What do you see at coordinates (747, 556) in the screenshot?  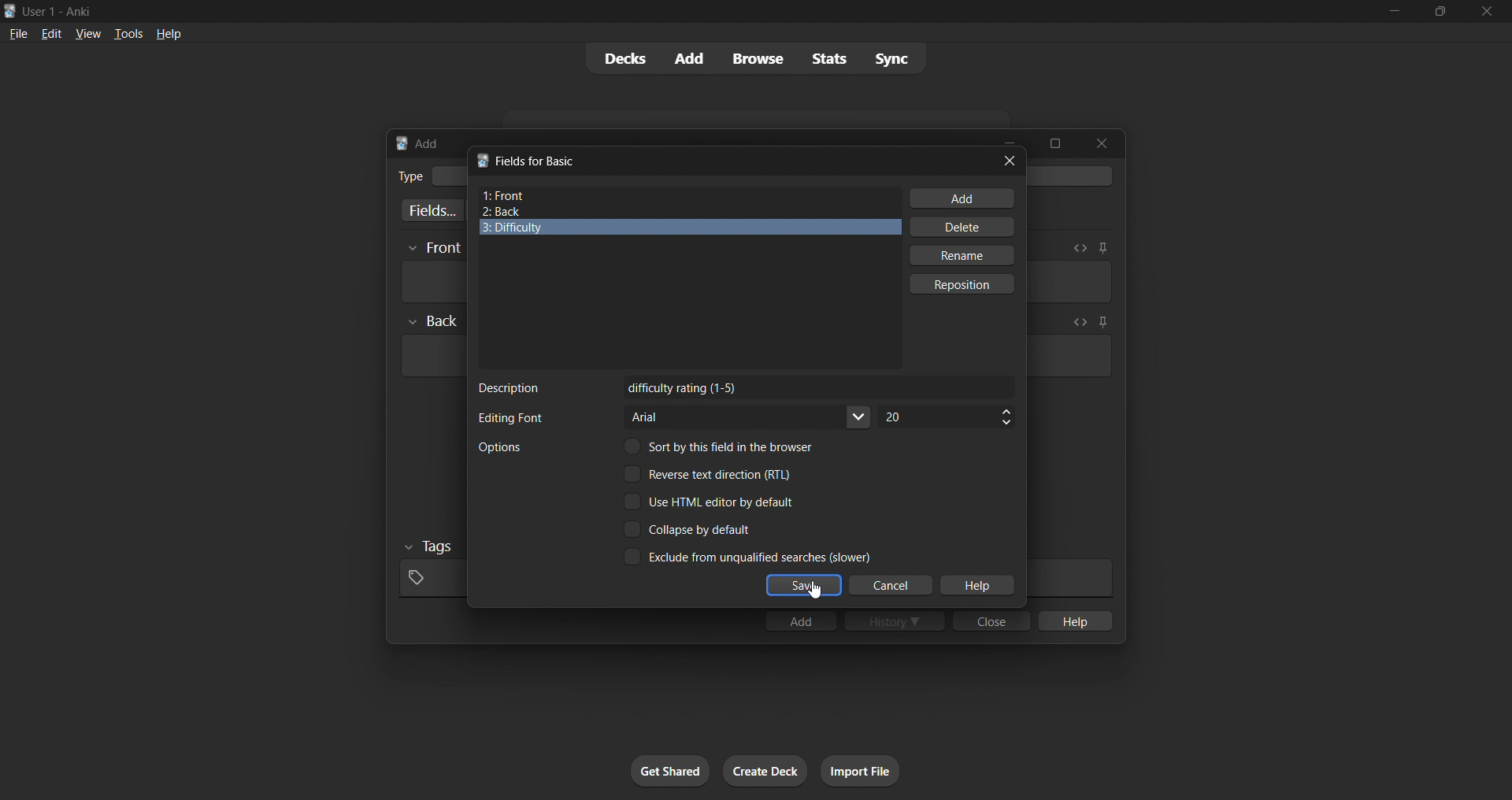 I see `Toggle` at bounding box center [747, 556].